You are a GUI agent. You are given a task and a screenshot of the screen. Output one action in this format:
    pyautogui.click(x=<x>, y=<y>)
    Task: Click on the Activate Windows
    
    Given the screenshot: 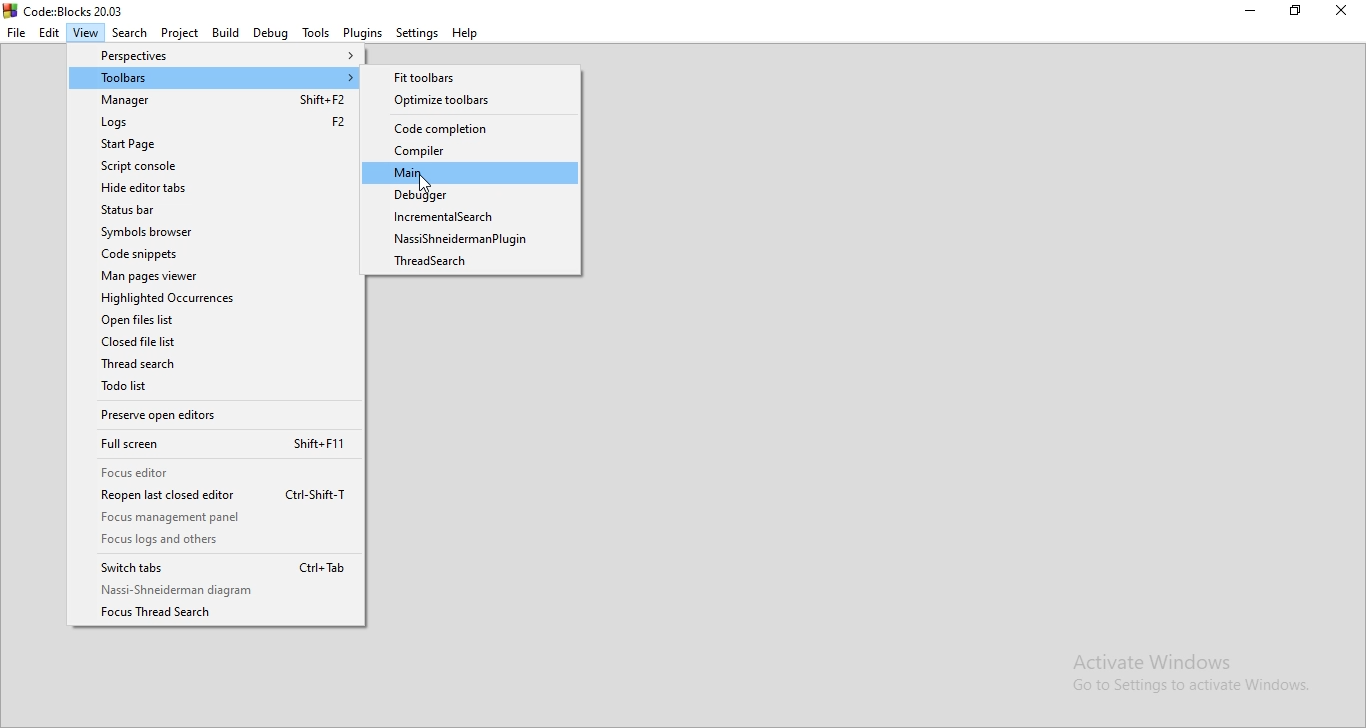 What is the action you would take?
    pyautogui.click(x=1153, y=662)
    